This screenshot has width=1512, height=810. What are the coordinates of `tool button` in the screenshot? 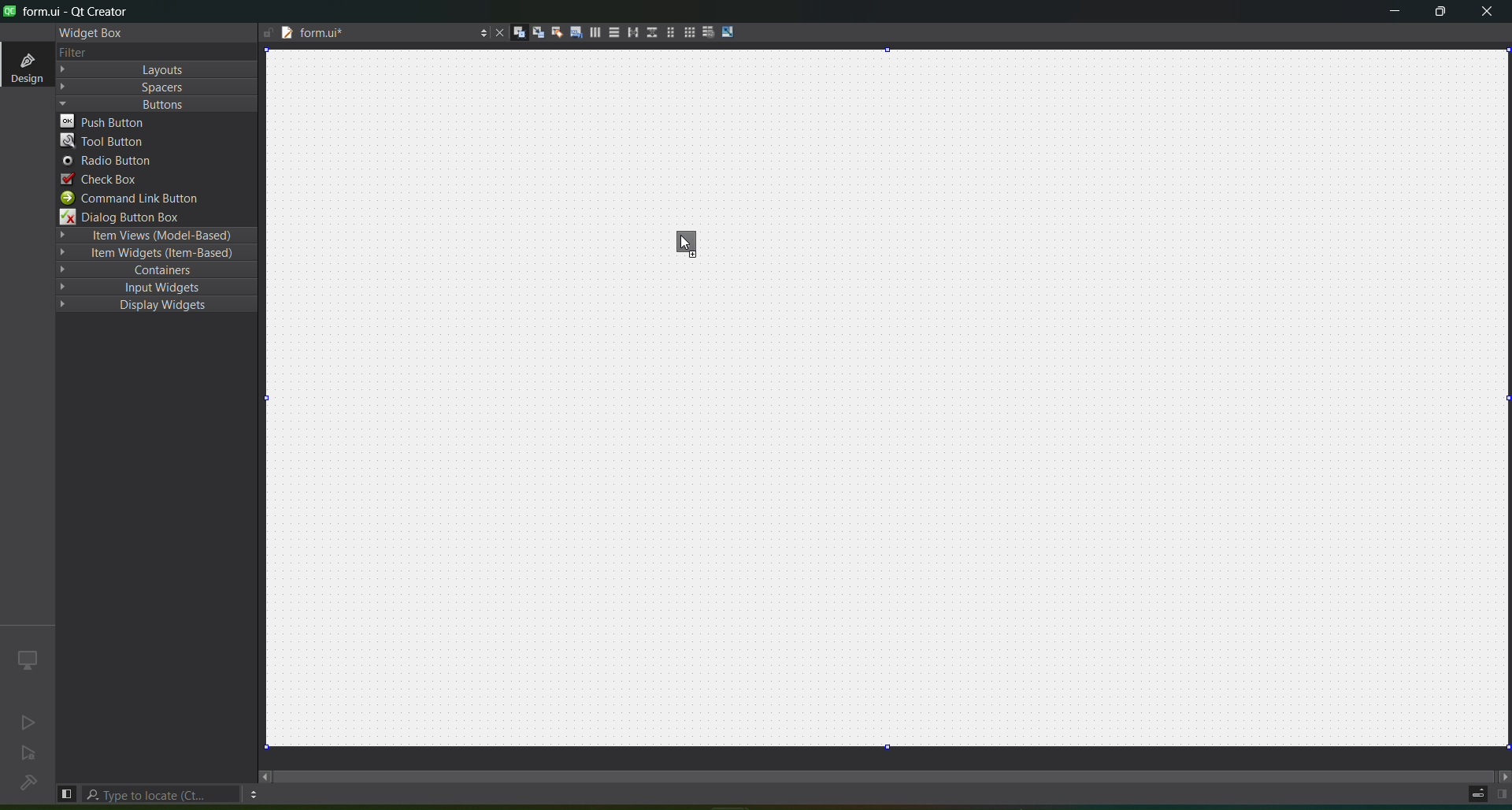 It's located at (157, 143).